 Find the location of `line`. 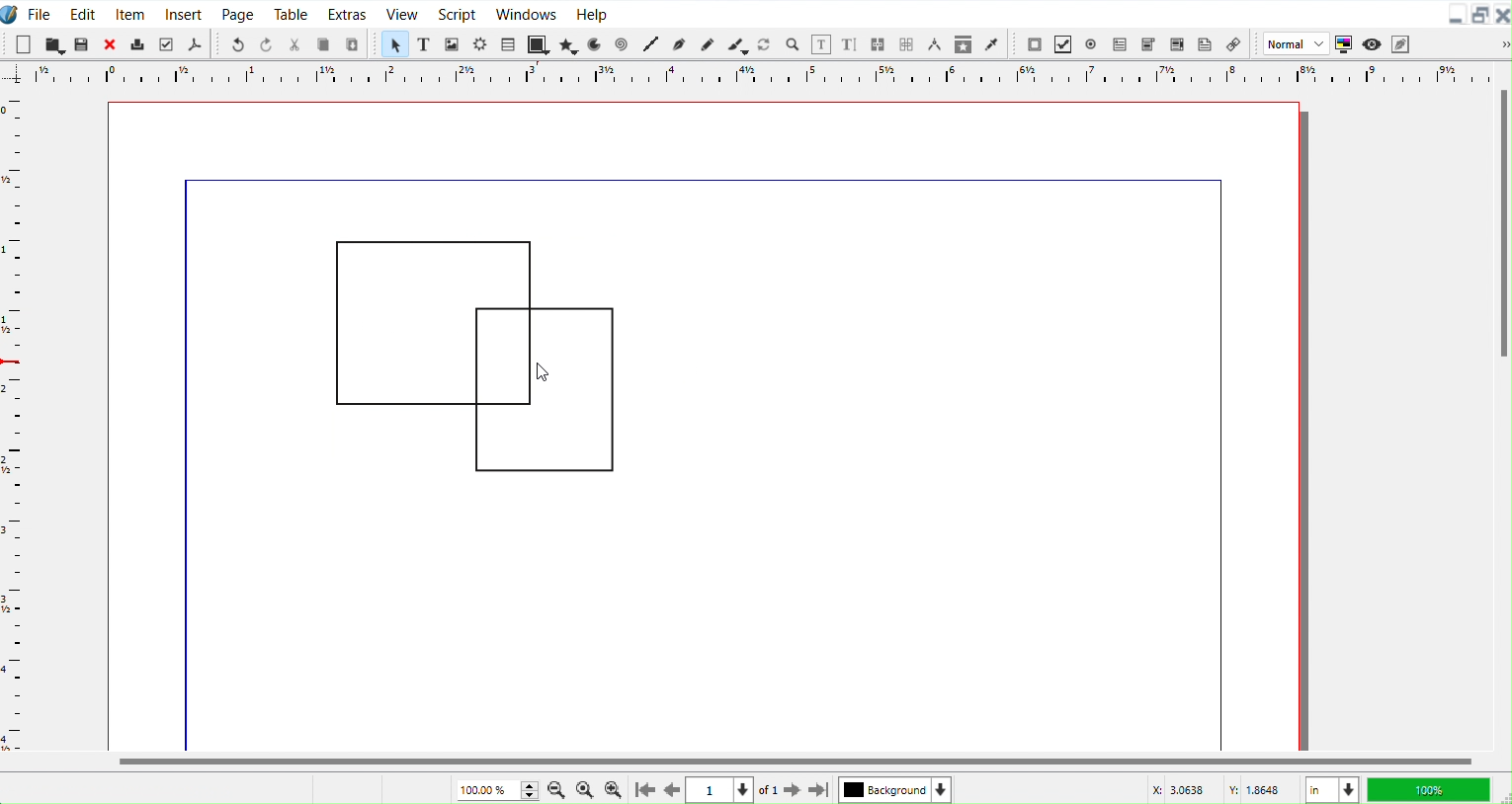

line is located at coordinates (704, 179).